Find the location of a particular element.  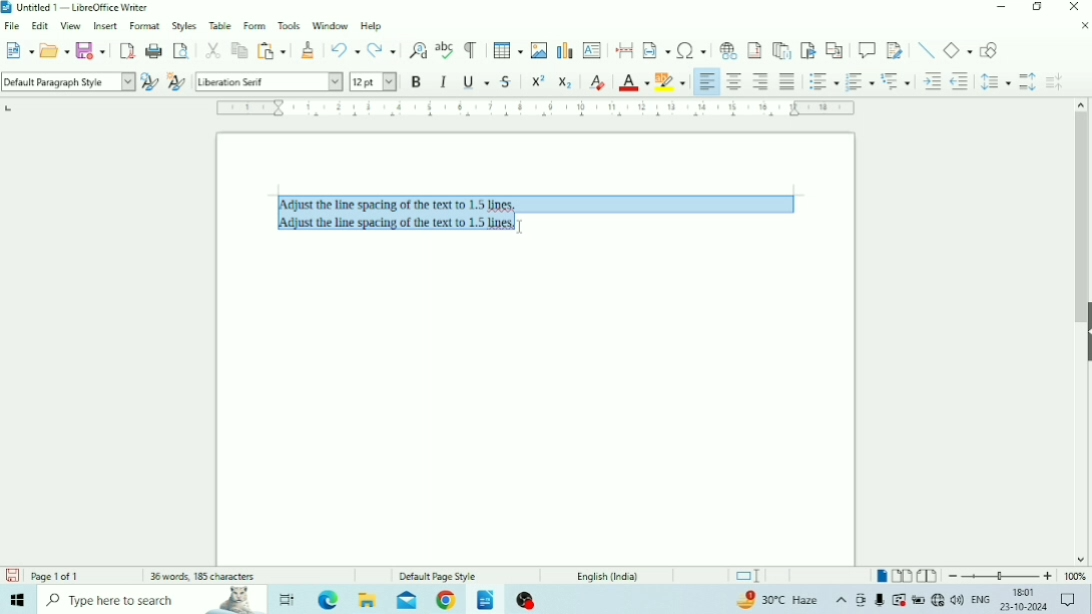

Format is located at coordinates (145, 25).